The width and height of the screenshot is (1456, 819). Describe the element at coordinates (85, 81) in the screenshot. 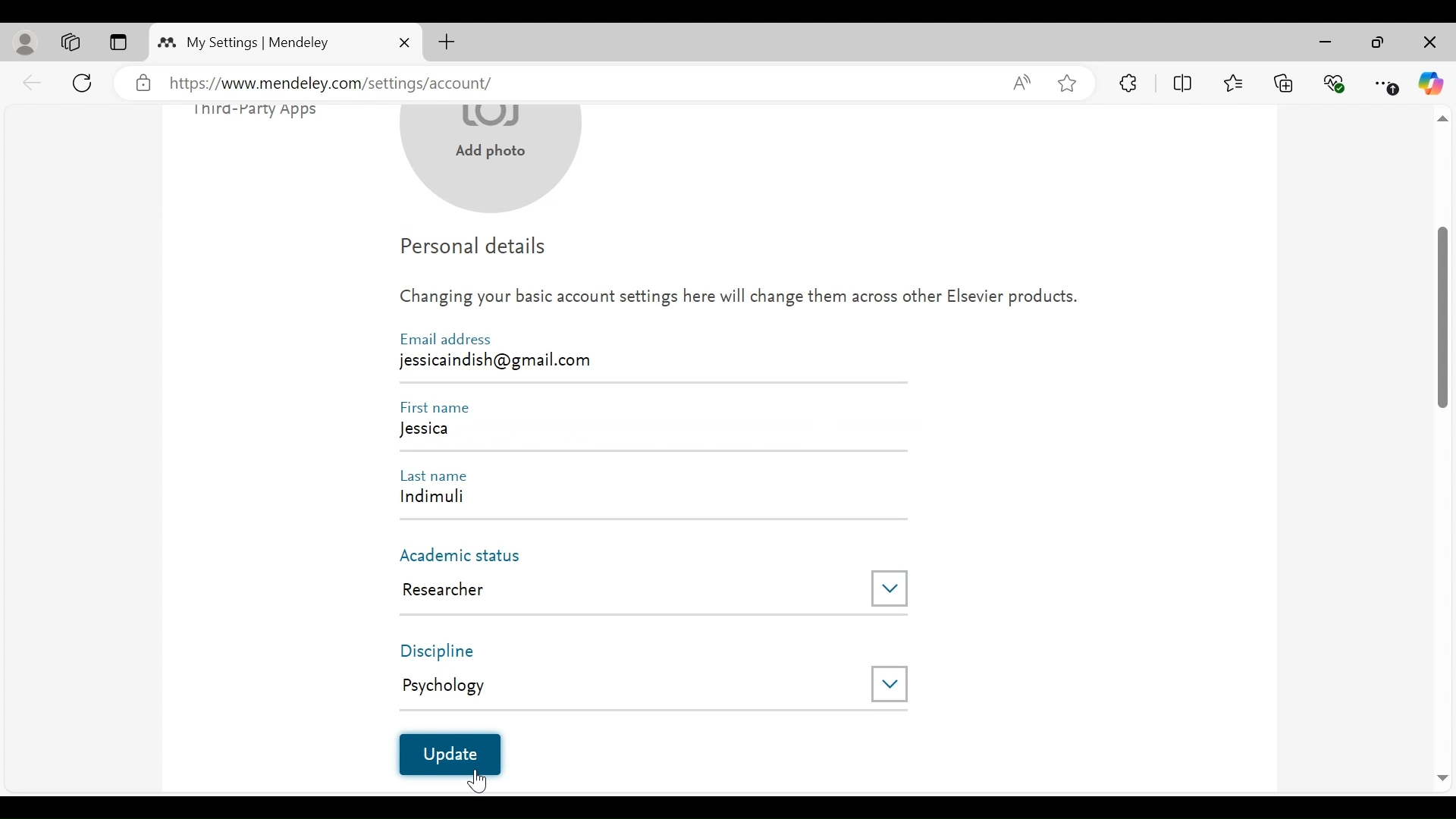

I see `Reload` at that location.